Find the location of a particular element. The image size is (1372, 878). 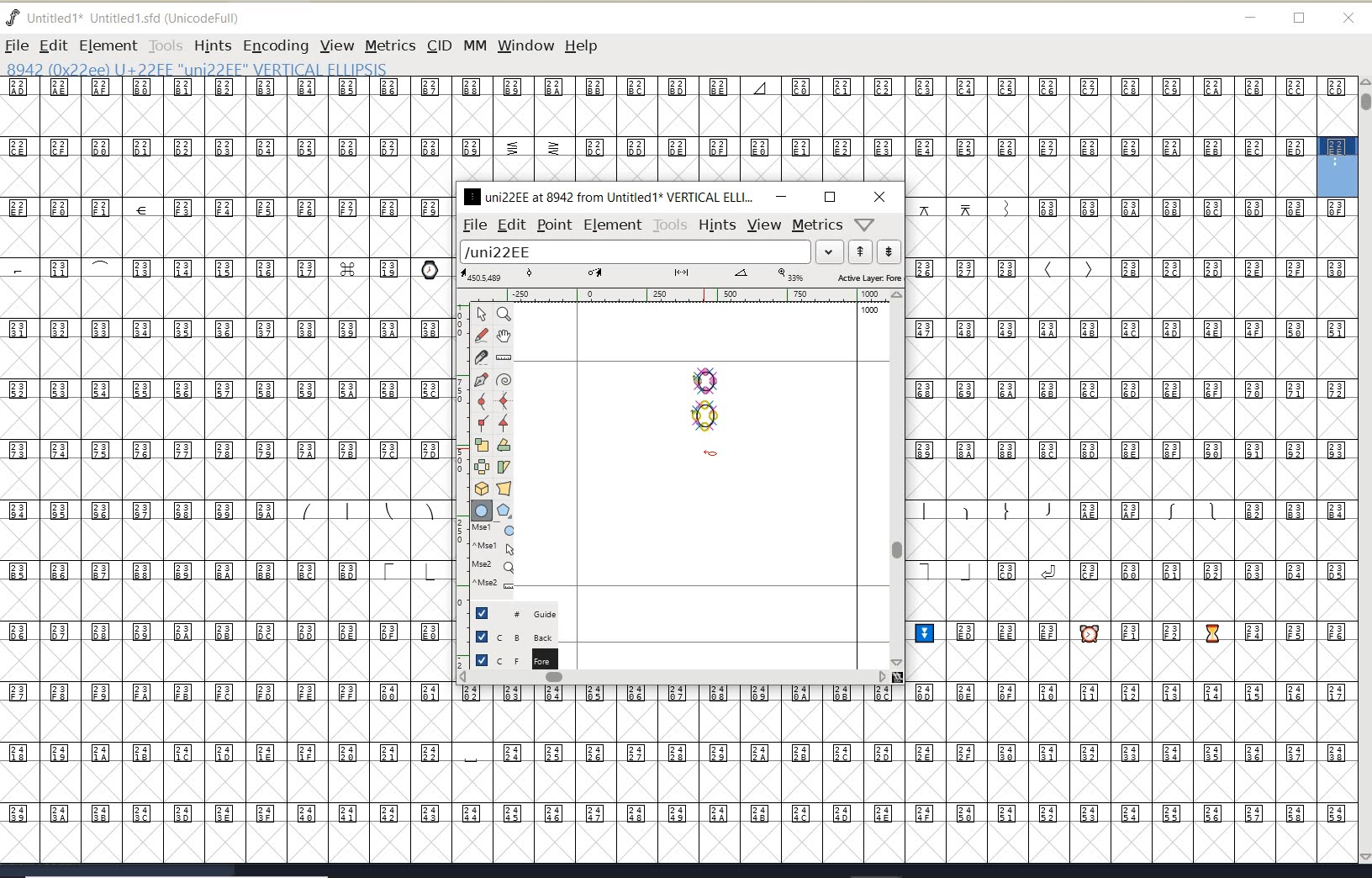

add a point, then drag out its control points is located at coordinates (481, 378).